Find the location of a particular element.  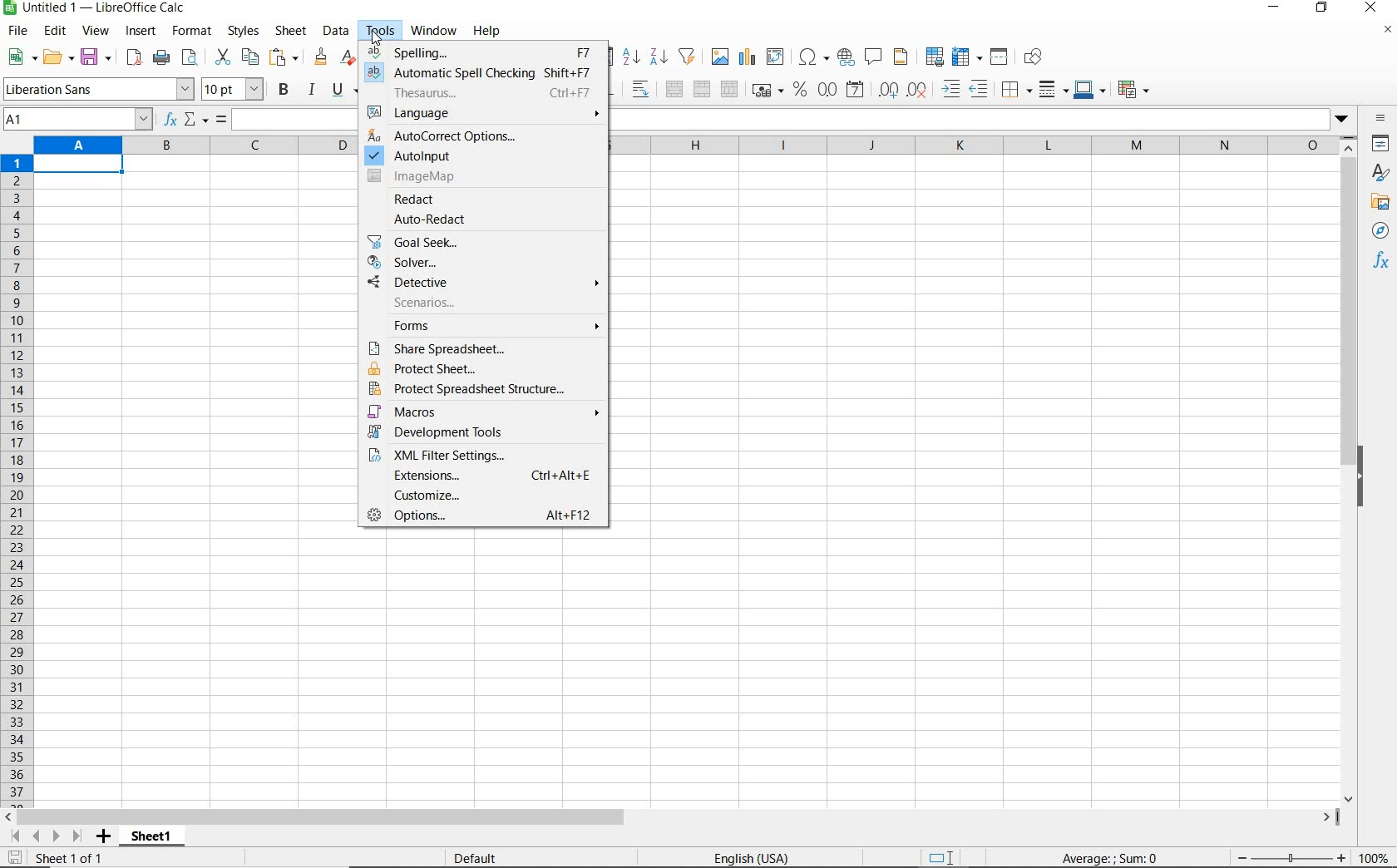

format is located at coordinates (192, 32).